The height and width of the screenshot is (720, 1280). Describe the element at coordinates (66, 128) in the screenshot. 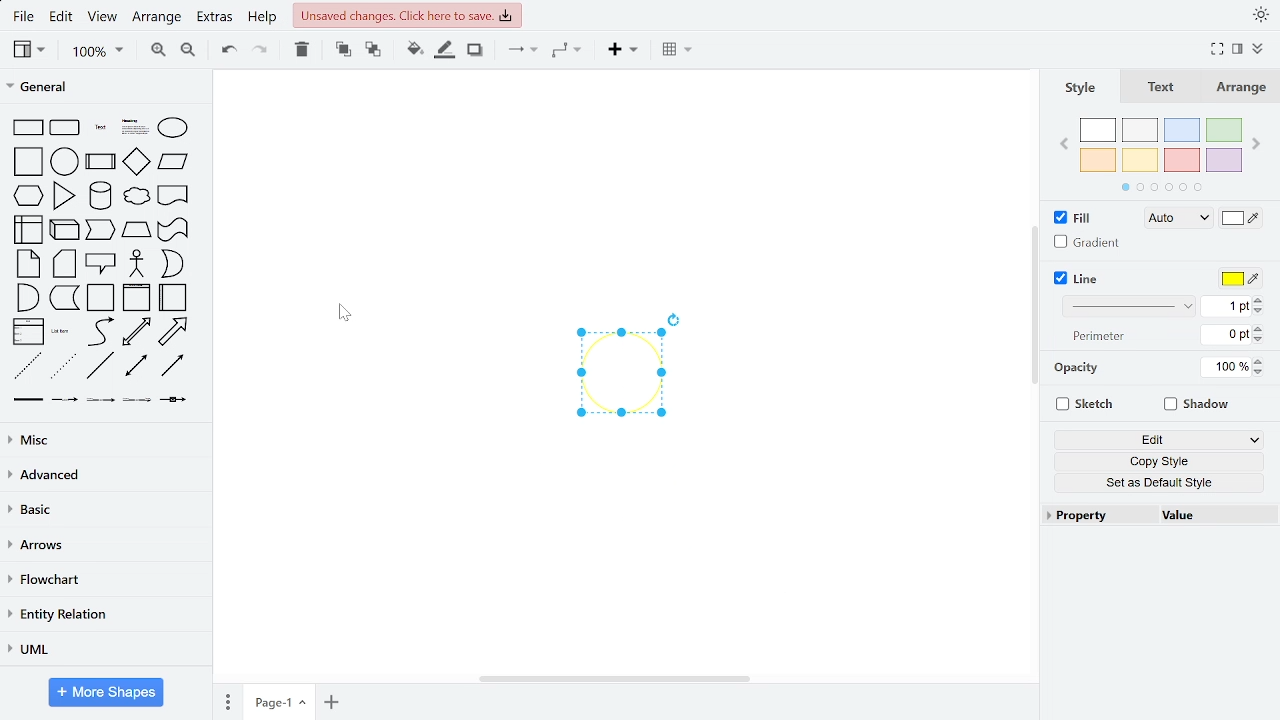

I see `rounded rectangle` at that location.